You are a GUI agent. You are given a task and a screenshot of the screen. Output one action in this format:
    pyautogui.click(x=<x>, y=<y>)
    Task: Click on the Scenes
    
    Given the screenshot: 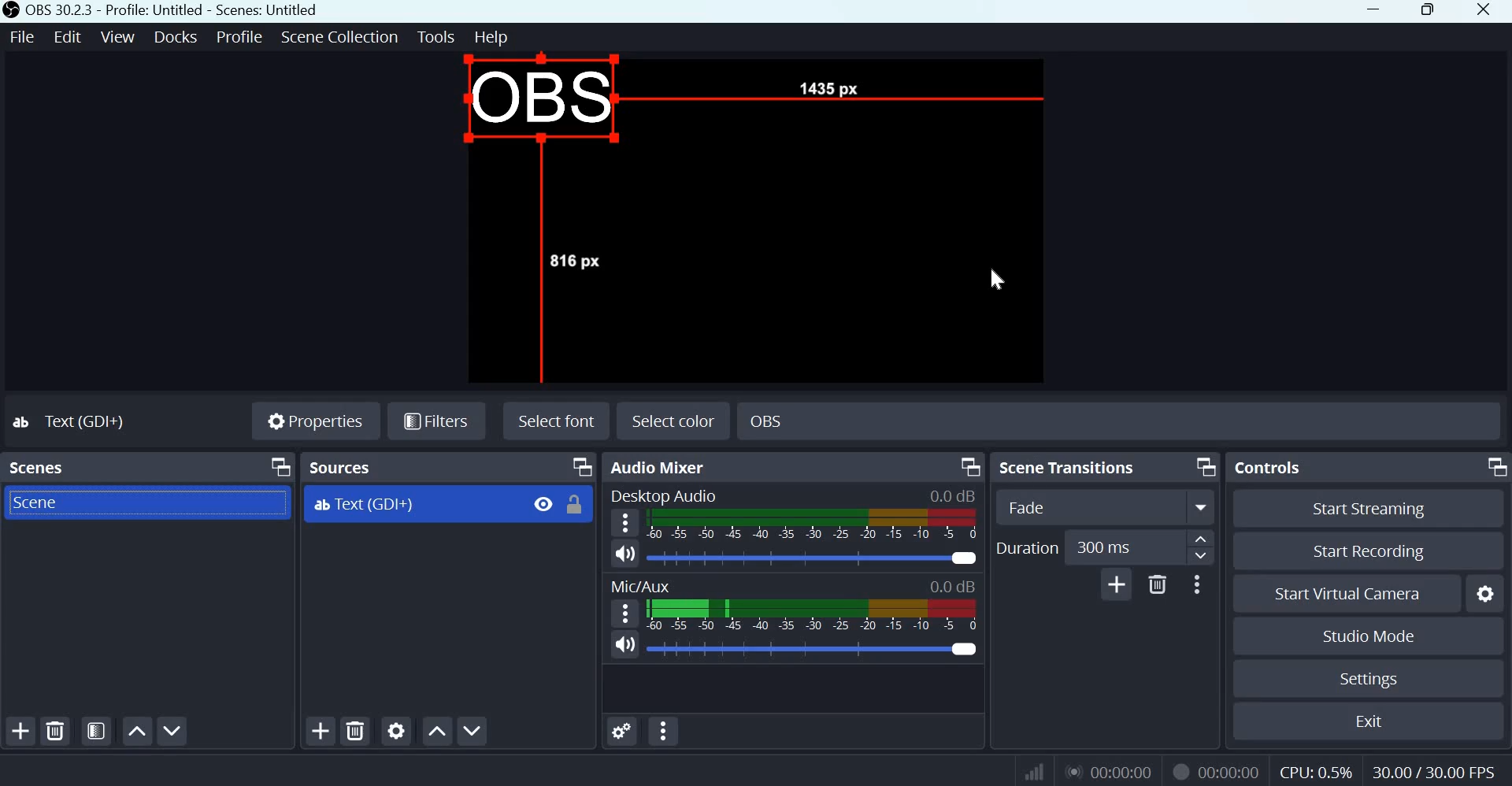 What is the action you would take?
    pyautogui.click(x=37, y=468)
    